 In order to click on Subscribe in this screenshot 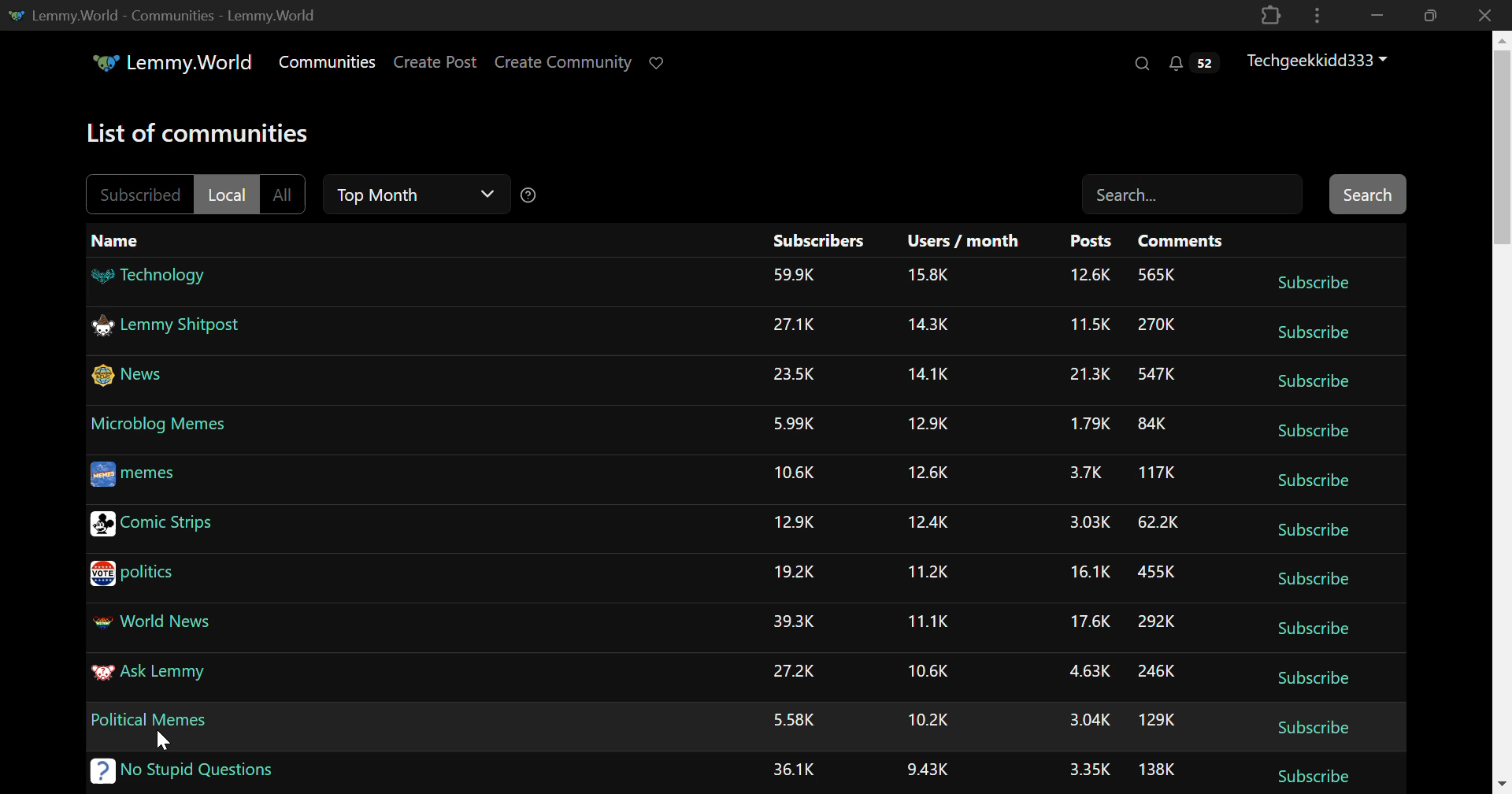, I will do `click(1310, 333)`.